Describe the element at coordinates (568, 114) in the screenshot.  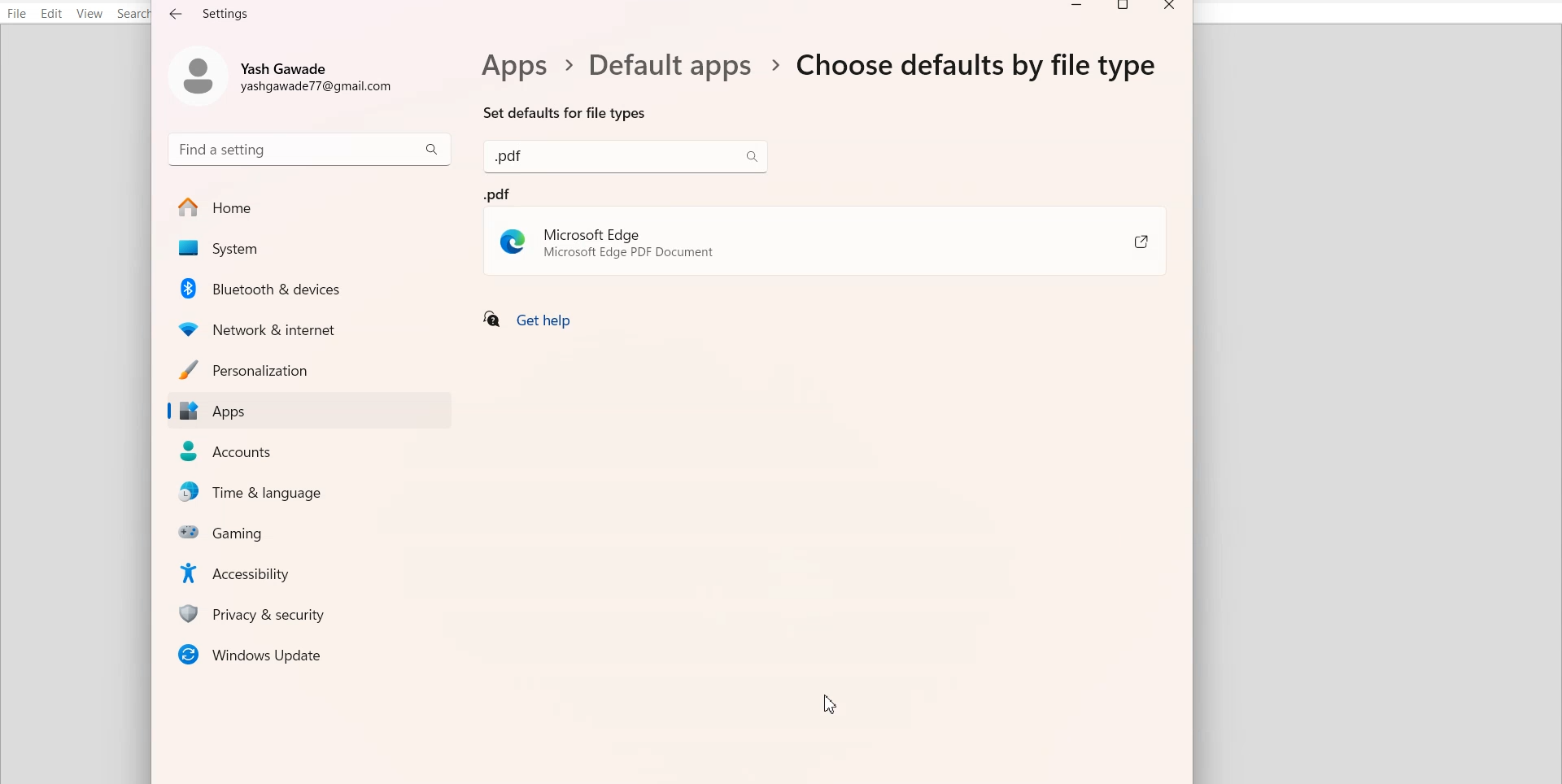
I see `Set defaults for file` at that location.